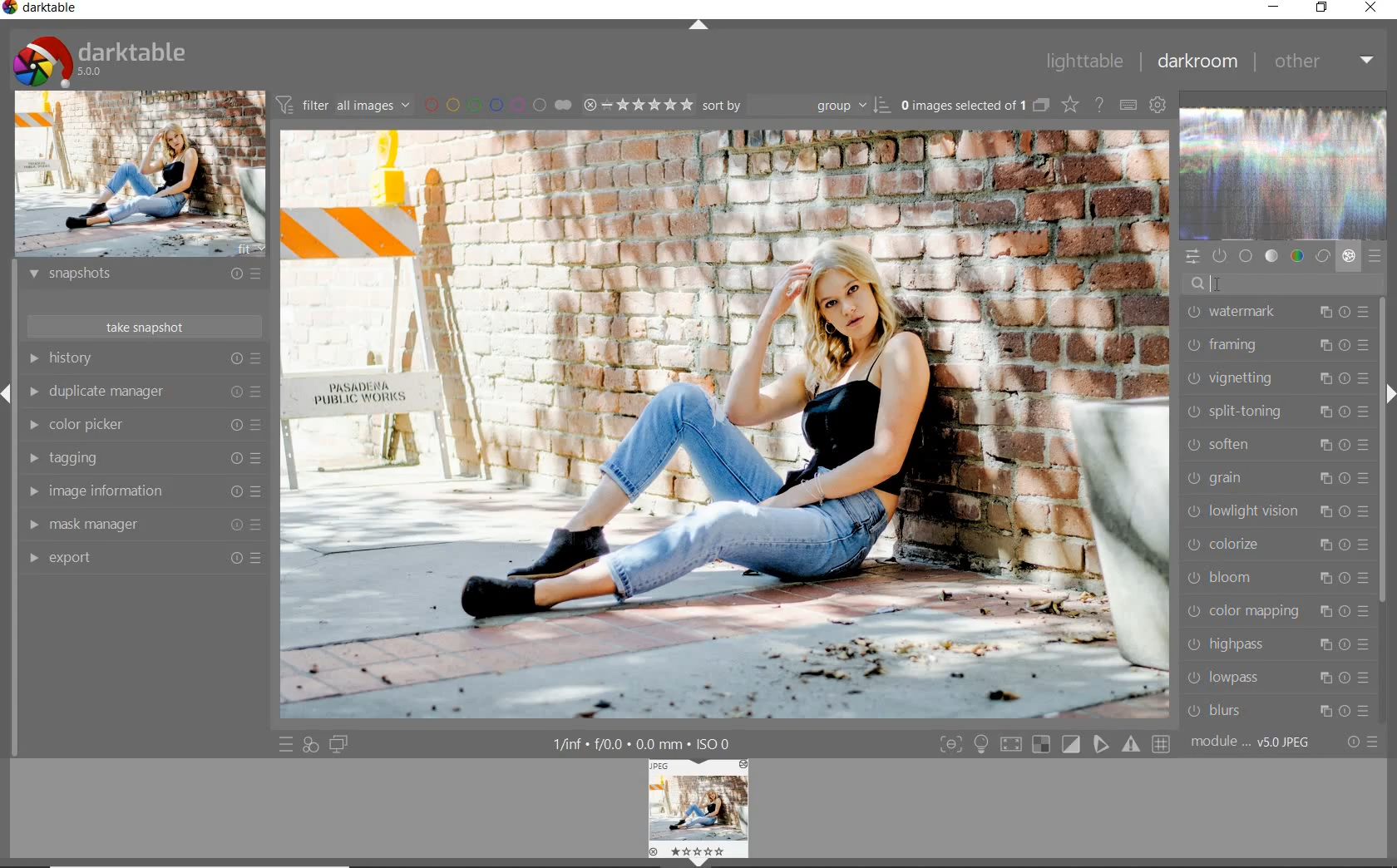  I want to click on blurs, so click(1281, 710).